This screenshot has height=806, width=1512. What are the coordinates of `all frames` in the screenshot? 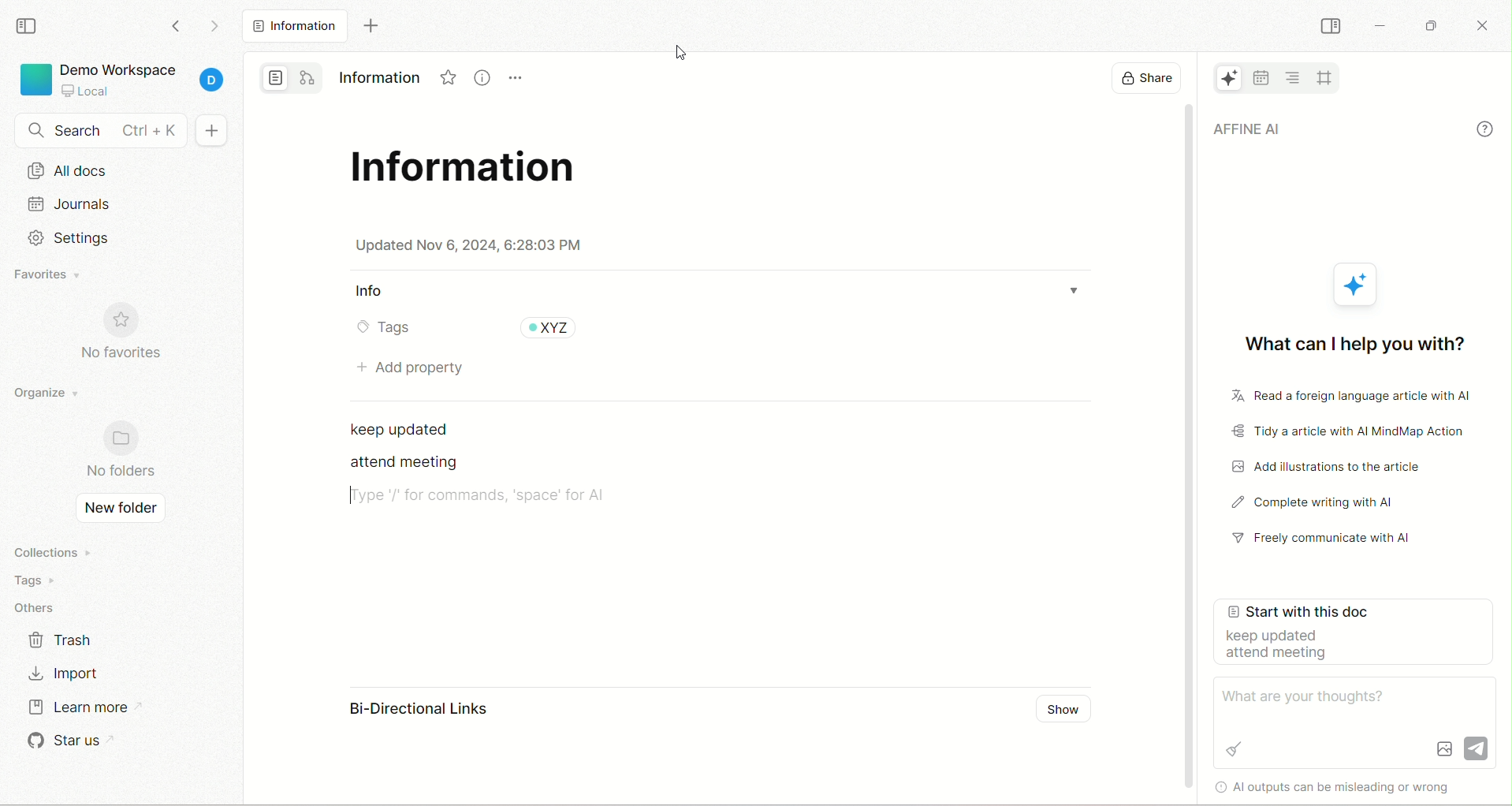 It's located at (1324, 76).